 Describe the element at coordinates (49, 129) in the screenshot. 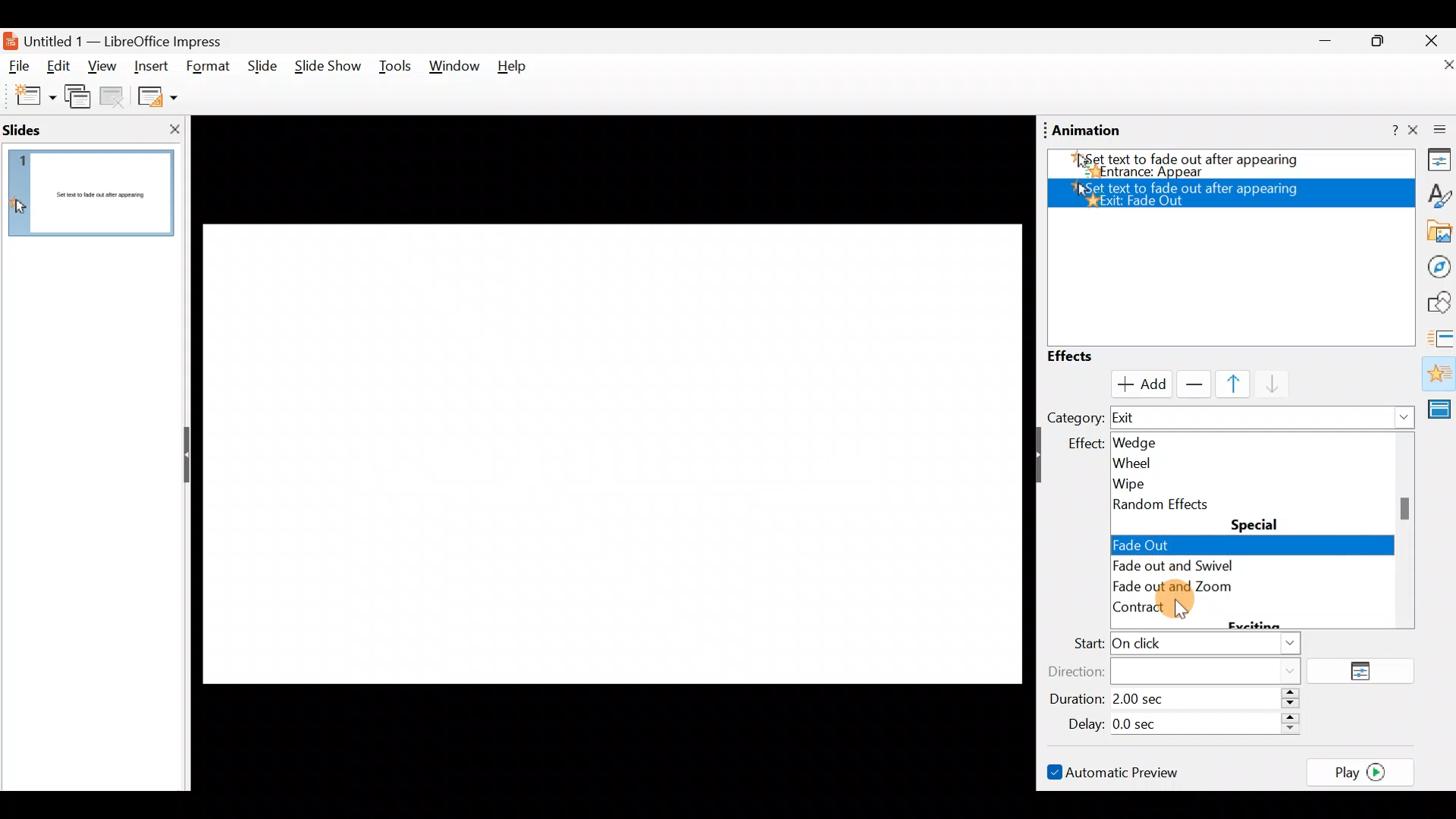

I see `Slides` at that location.